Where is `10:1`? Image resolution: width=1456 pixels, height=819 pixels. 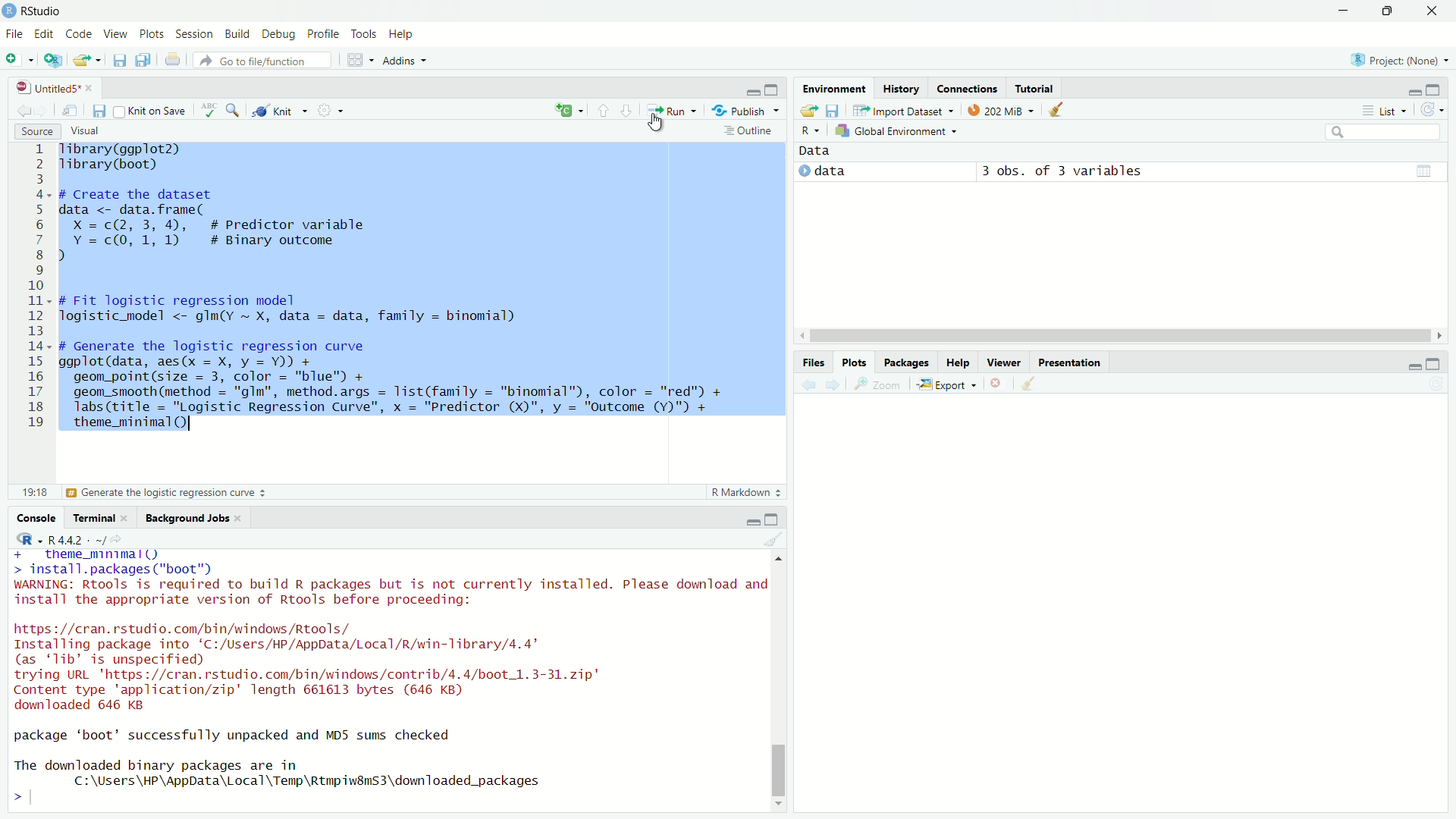 10:1 is located at coordinates (34, 492).